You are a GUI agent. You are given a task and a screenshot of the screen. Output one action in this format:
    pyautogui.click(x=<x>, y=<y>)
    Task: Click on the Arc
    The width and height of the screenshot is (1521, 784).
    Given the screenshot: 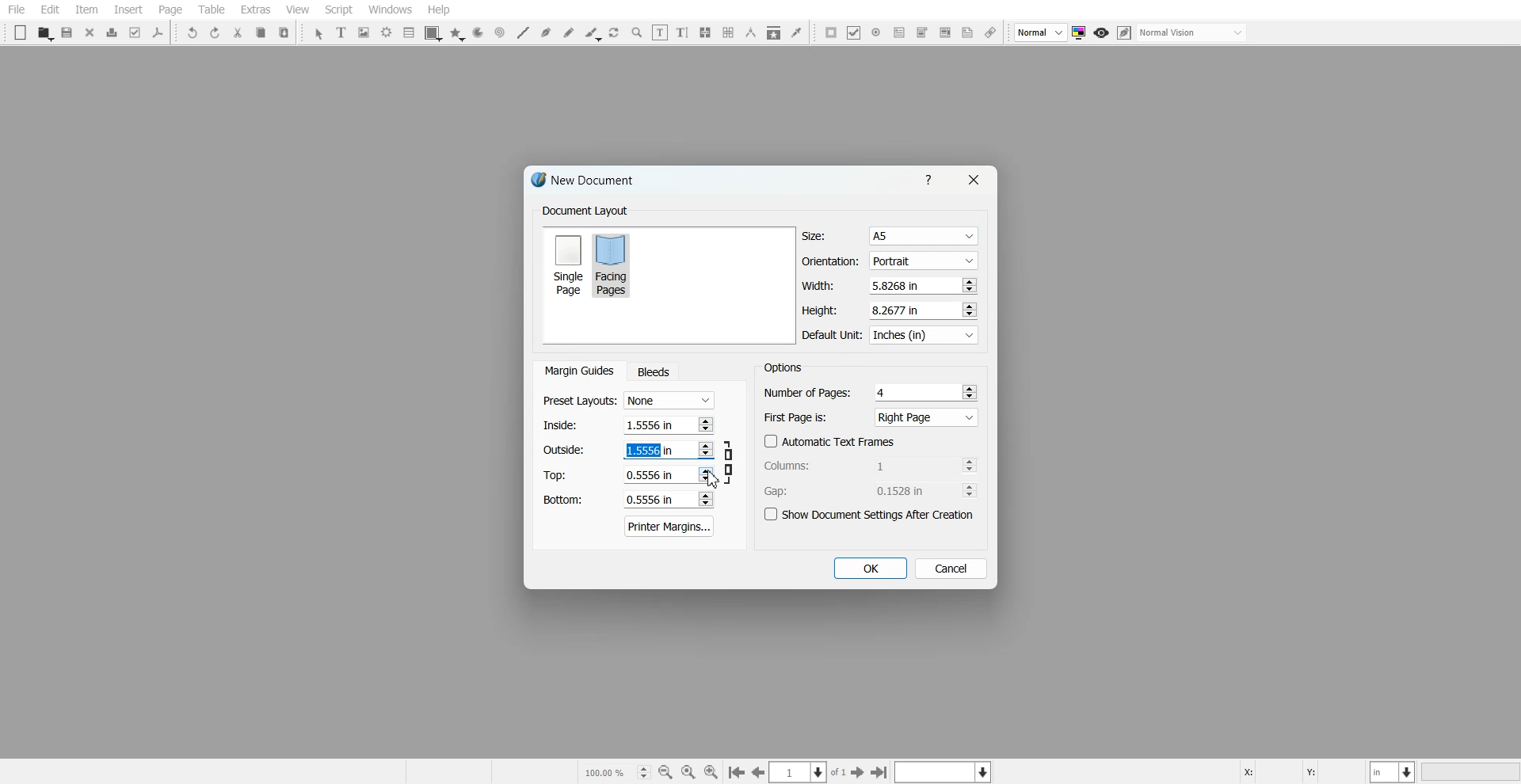 What is the action you would take?
    pyautogui.click(x=478, y=33)
    